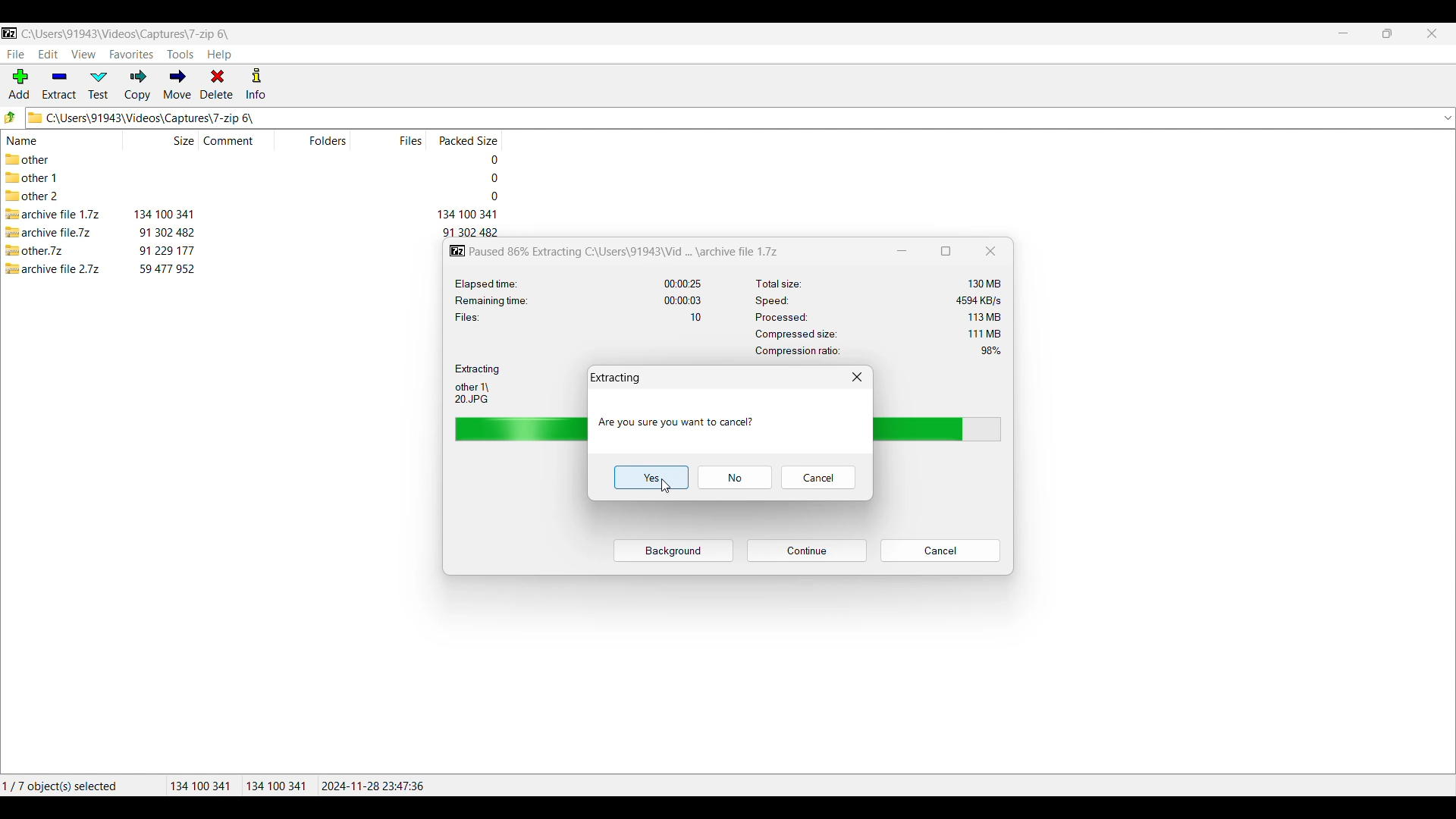 This screenshot has width=1456, height=819. I want to click on Packed size column, so click(465, 140).